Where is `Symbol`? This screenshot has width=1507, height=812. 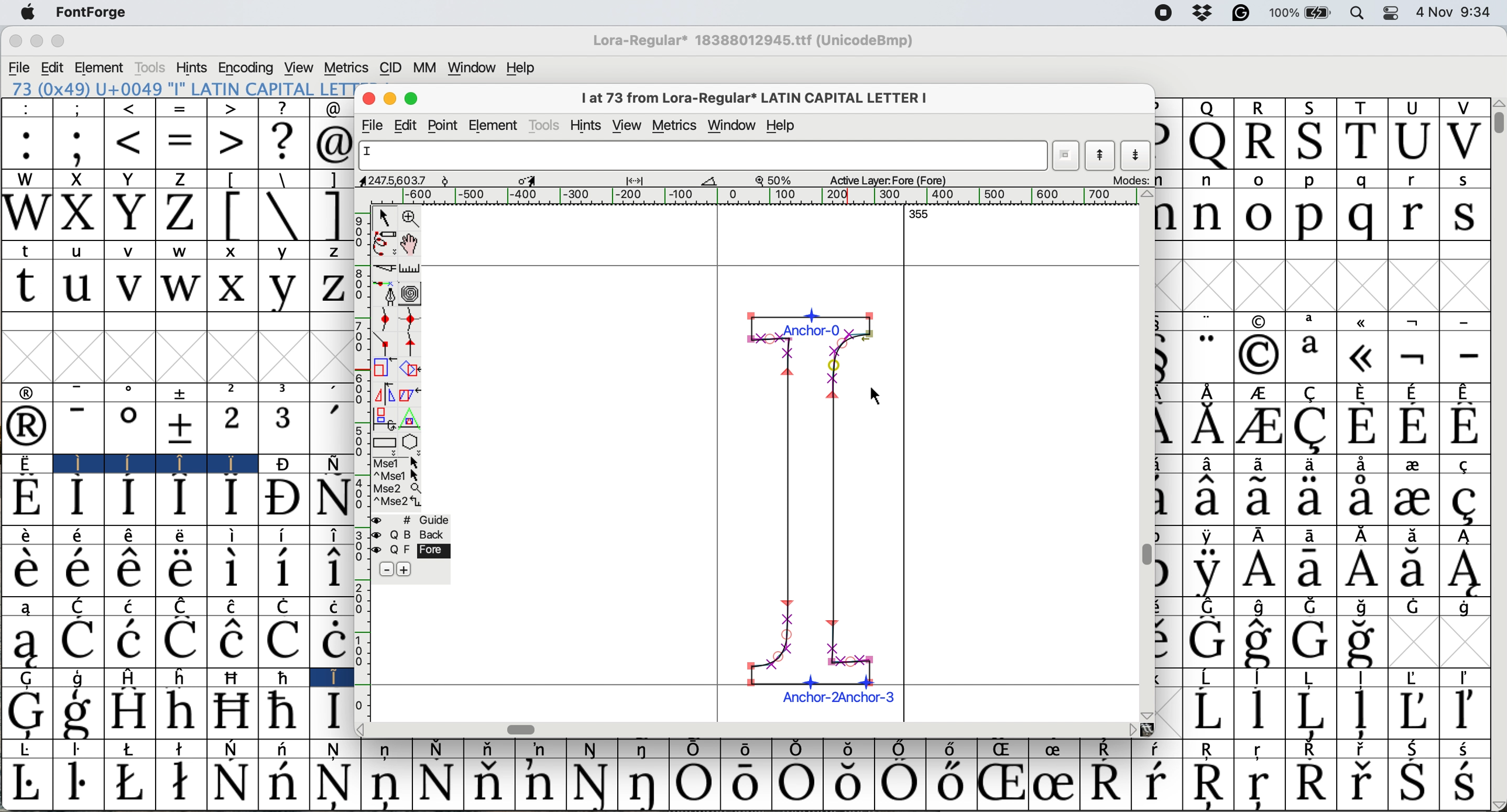
Symbol is located at coordinates (332, 498).